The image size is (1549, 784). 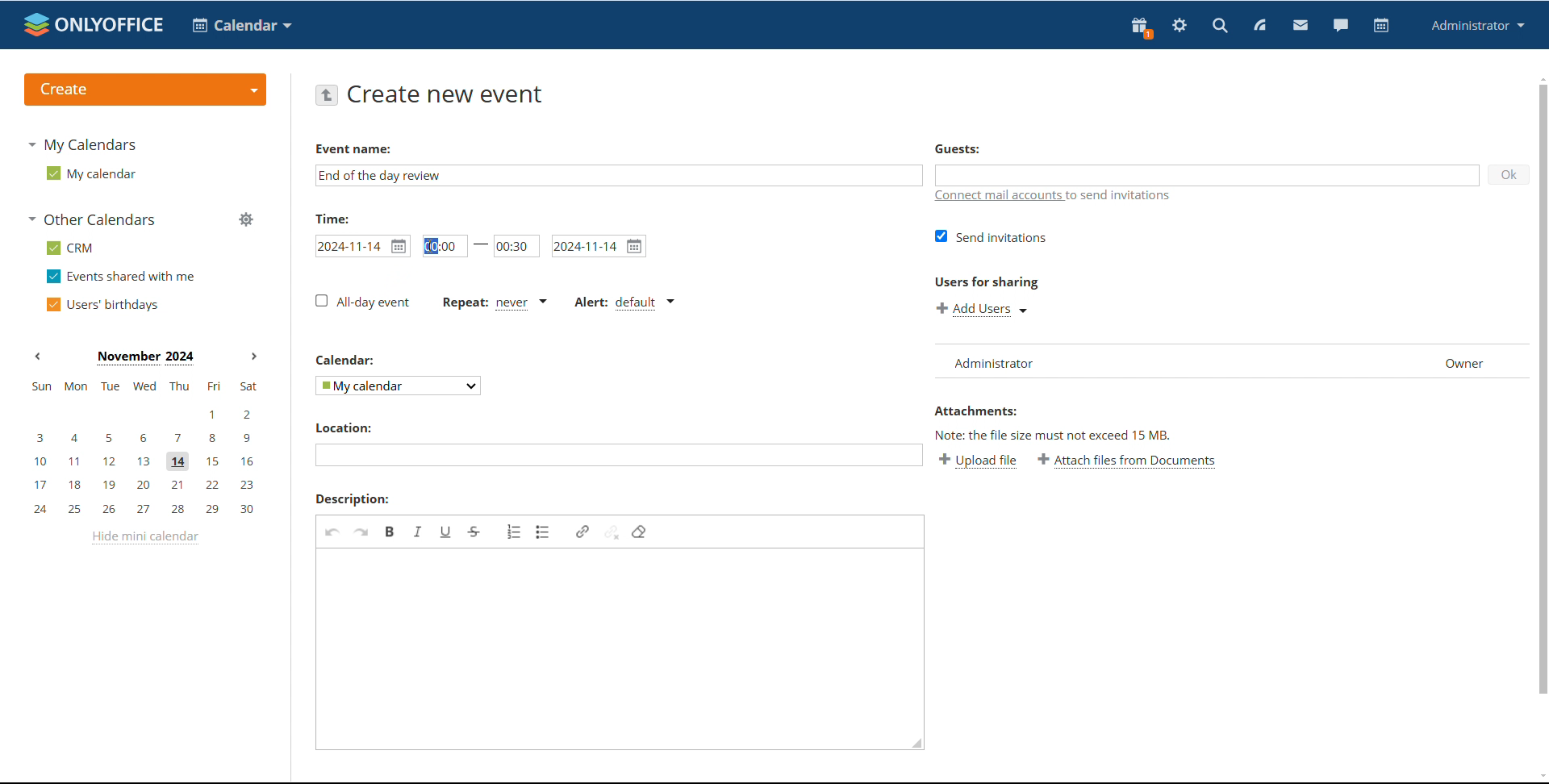 What do you see at coordinates (1205, 174) in the screenshot?
I see `add guests` at bounding box center [1205, 174].